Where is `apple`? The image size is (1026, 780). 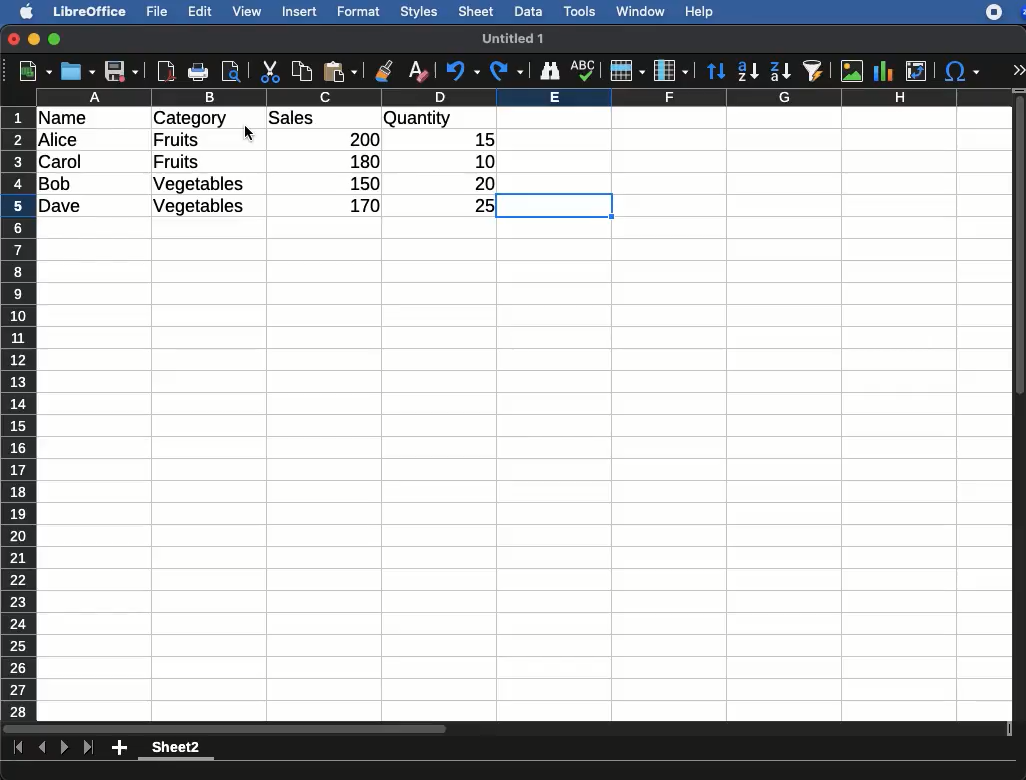 apple is located at coordinates (21, 10).